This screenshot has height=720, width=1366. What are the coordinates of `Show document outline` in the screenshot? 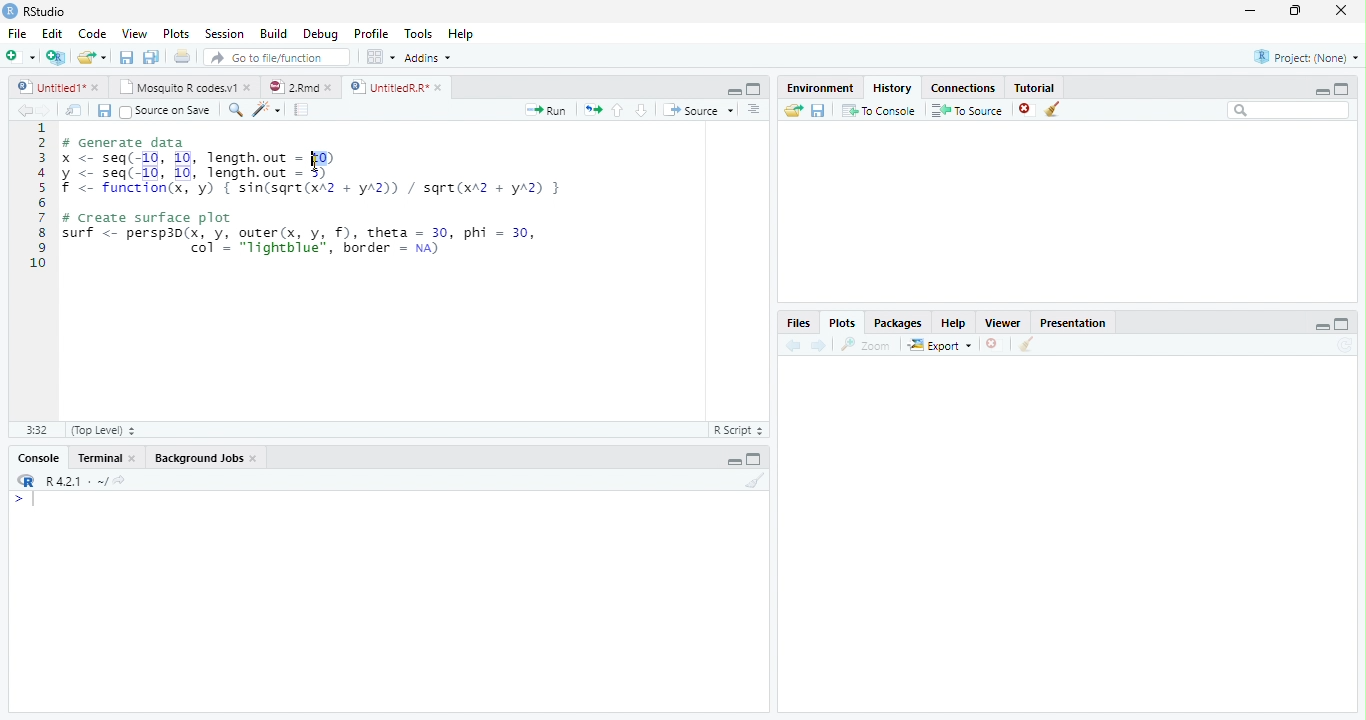 It's located at (753, 108).